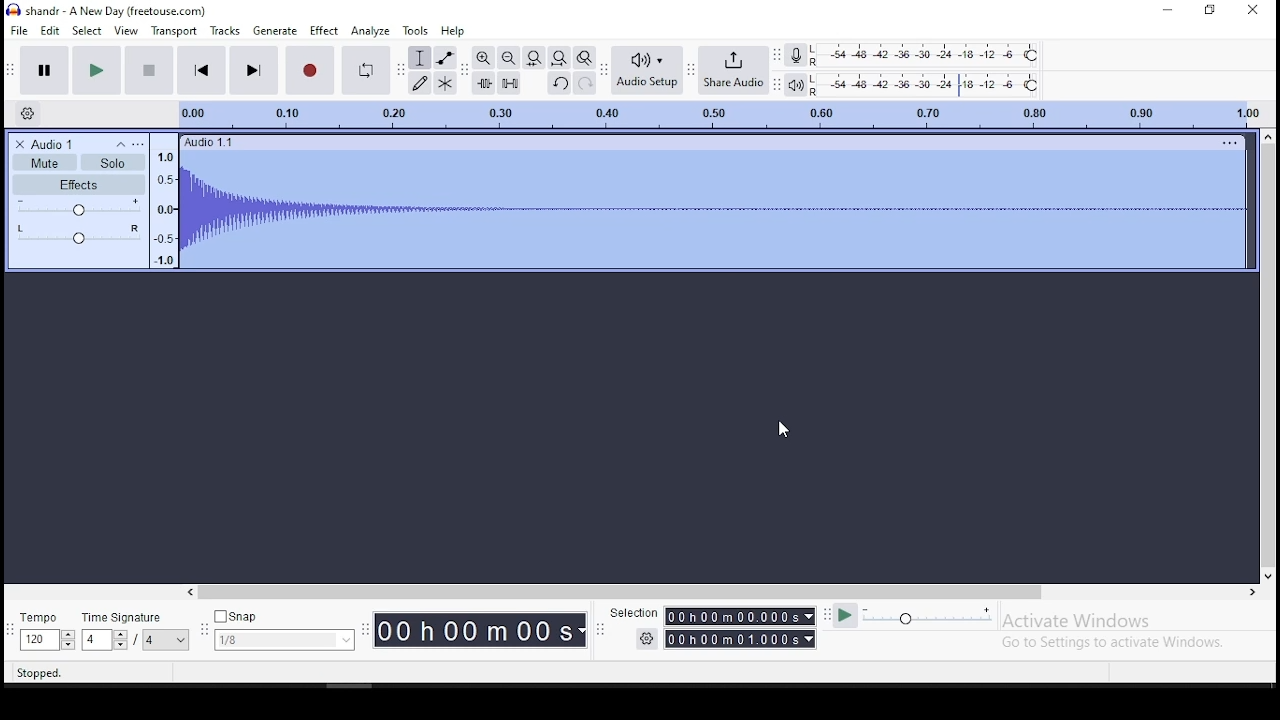 Image resolution: width=1280 pixels, height=720 pixels. I want to click on scroll bar, so click(721, 591).